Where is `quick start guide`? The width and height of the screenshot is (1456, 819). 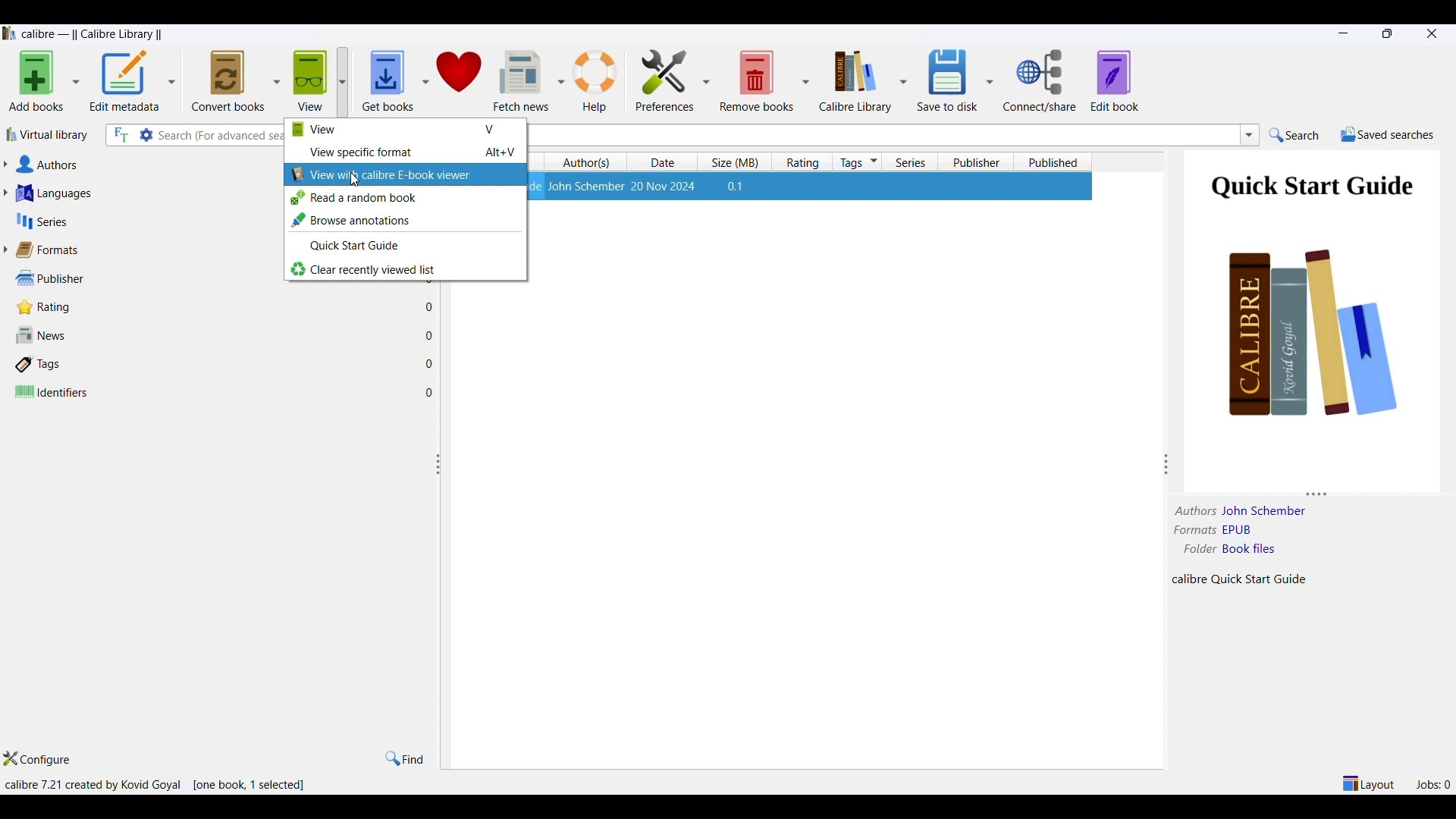
quick start guide is located at coordinates (404, 248).